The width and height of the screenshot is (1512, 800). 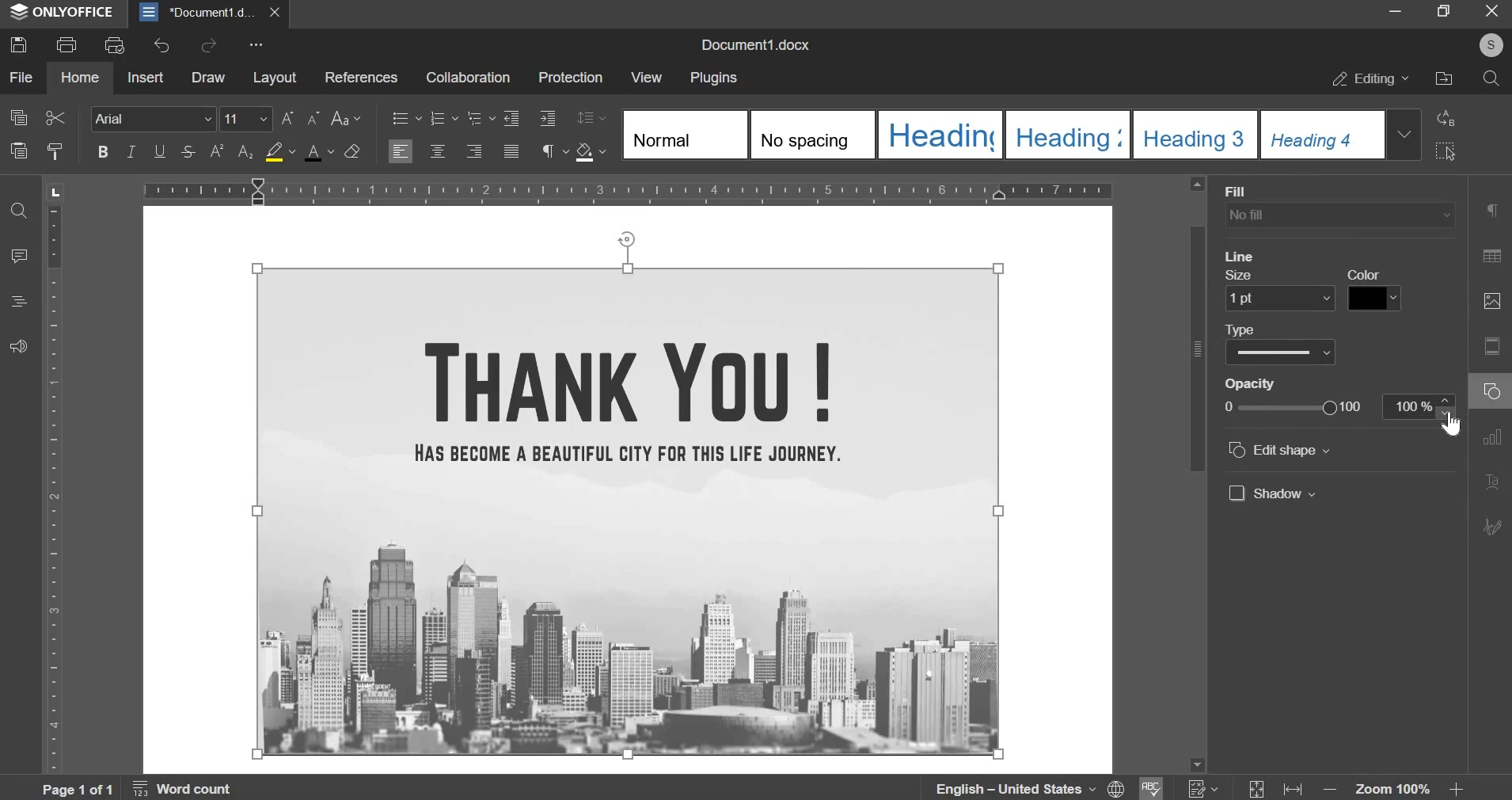 I want to click on save, so click(x=18, y=45).